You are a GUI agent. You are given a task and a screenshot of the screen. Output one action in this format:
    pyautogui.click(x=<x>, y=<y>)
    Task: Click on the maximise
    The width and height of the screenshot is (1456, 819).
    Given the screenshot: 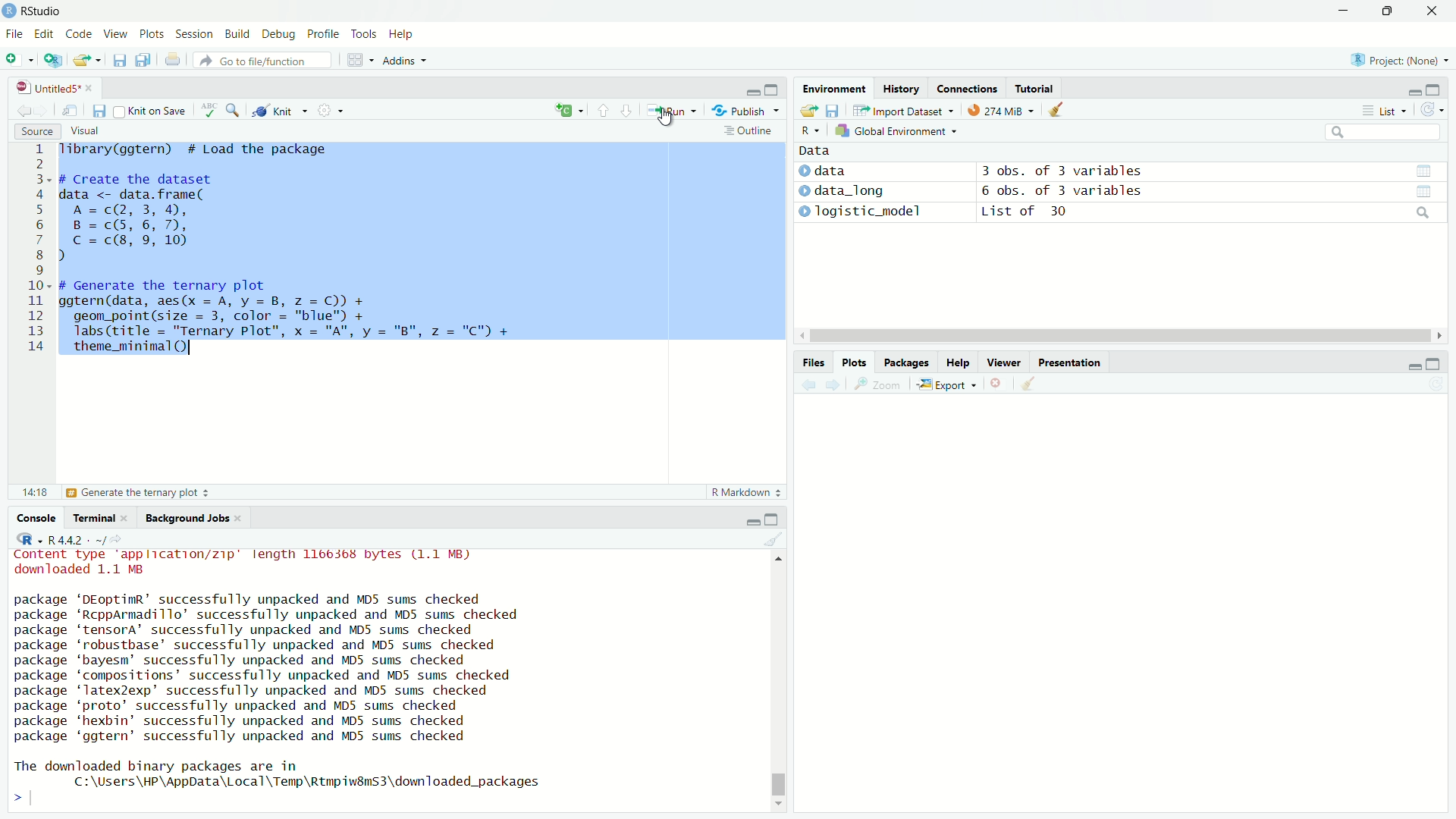 What is the action you would take?
    pyautogui.click(x=775, y=88)
    